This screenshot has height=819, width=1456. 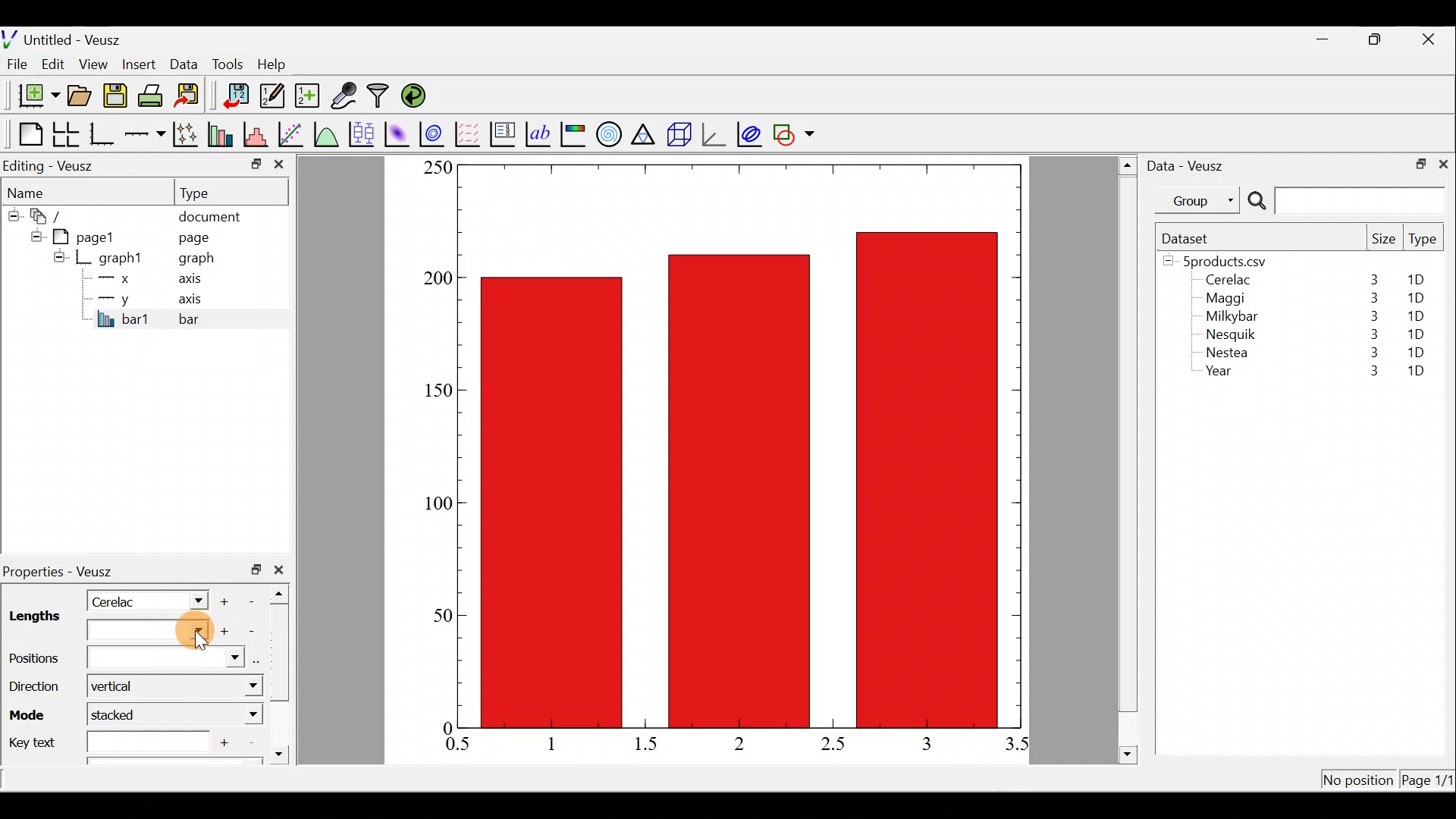 What do you see at coordinates (237, 96) in the screenshot?
I see `Import data into veusz` at bounding box center [237, 96].